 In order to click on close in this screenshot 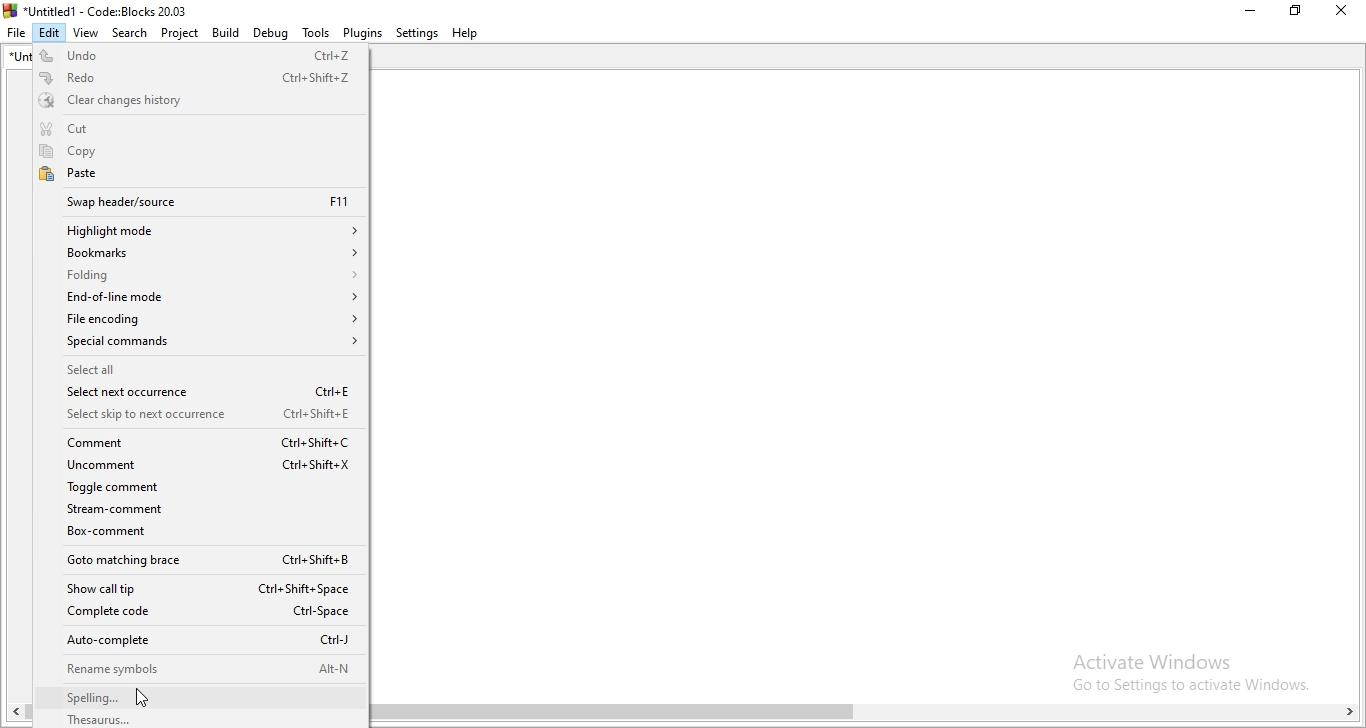, I will do `click(1338, 12)`.